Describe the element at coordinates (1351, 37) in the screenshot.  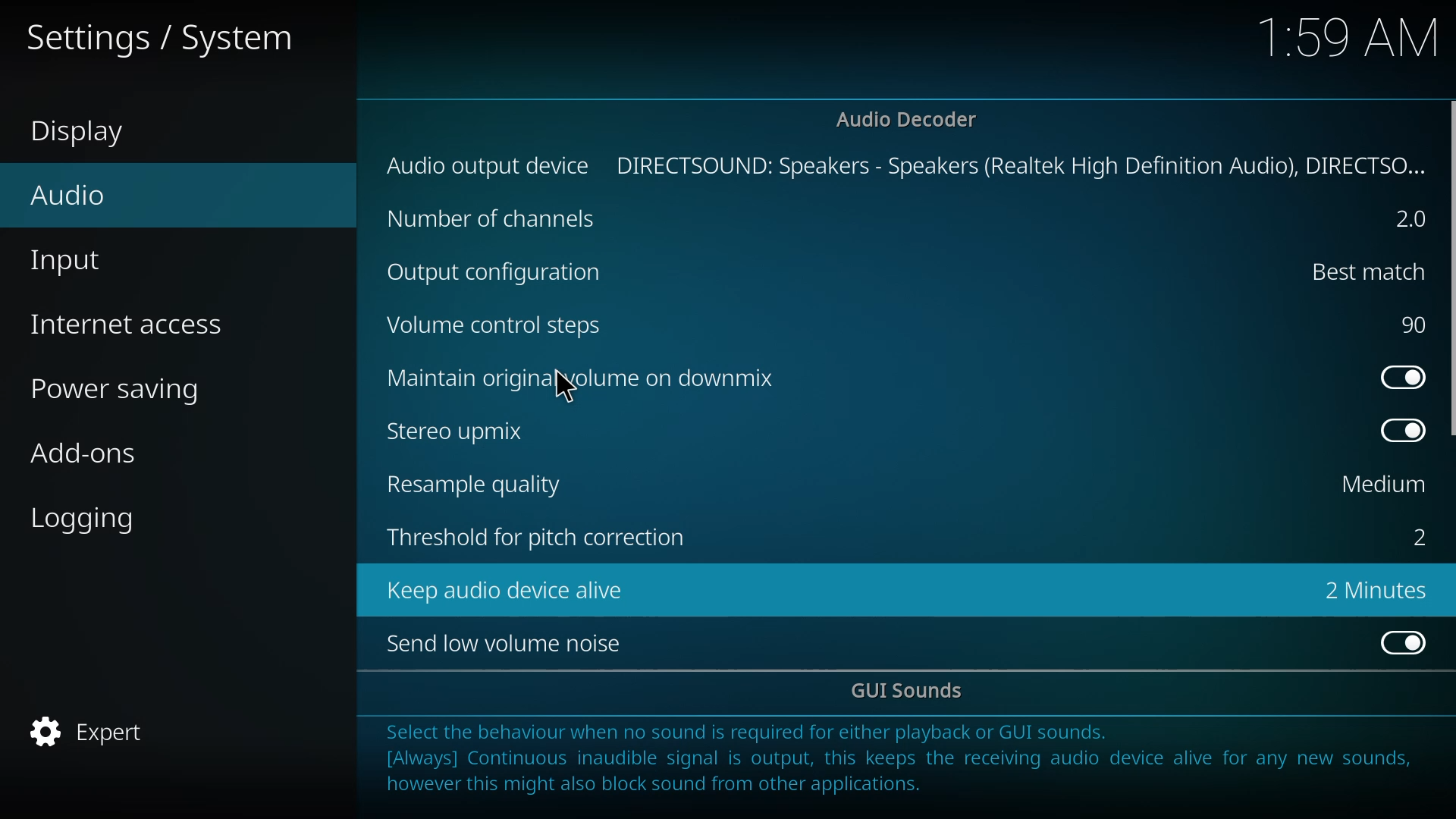
I see `time` at that location.